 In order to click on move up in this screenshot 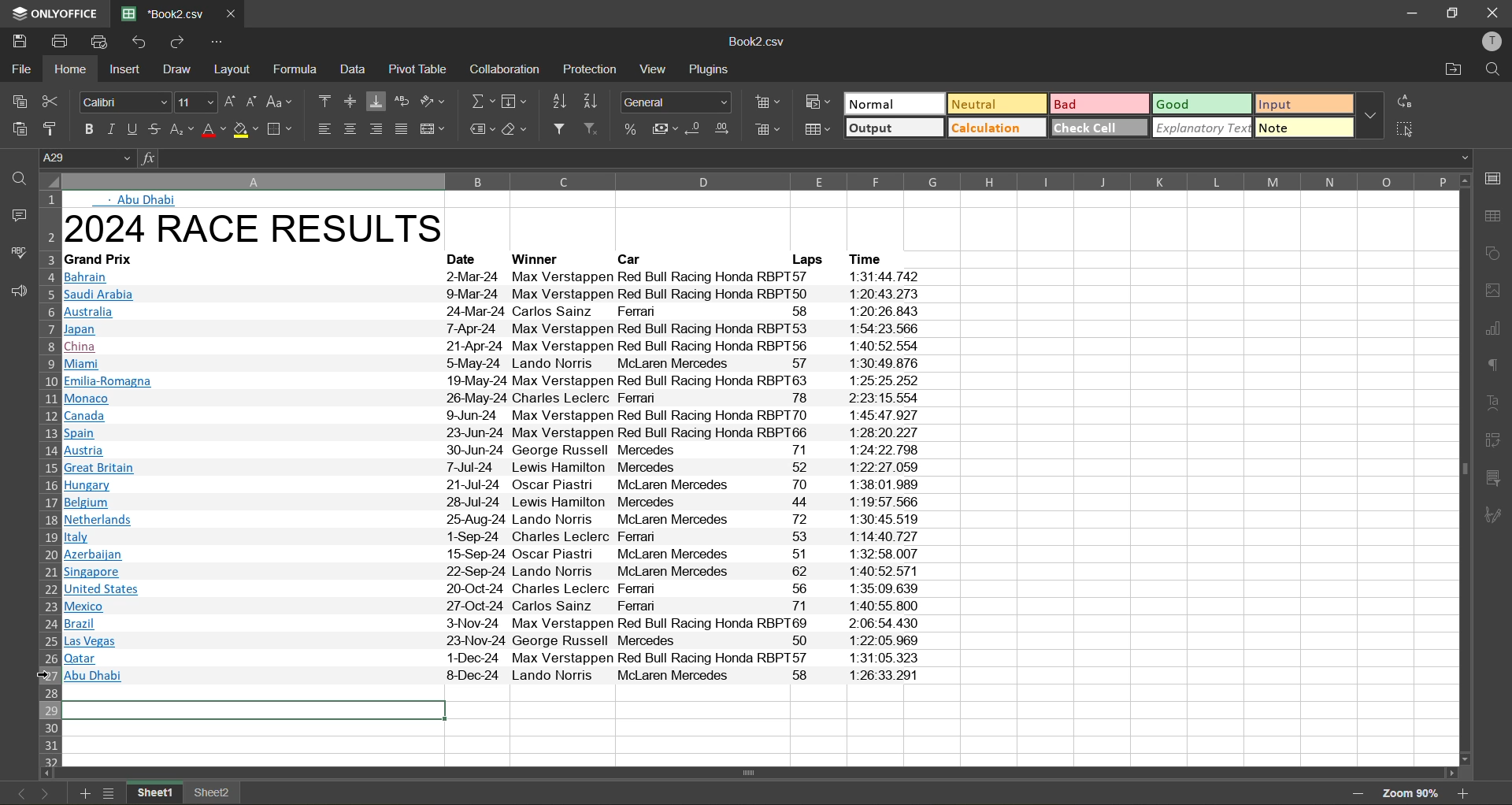, I will do `click(1463, 181)`.